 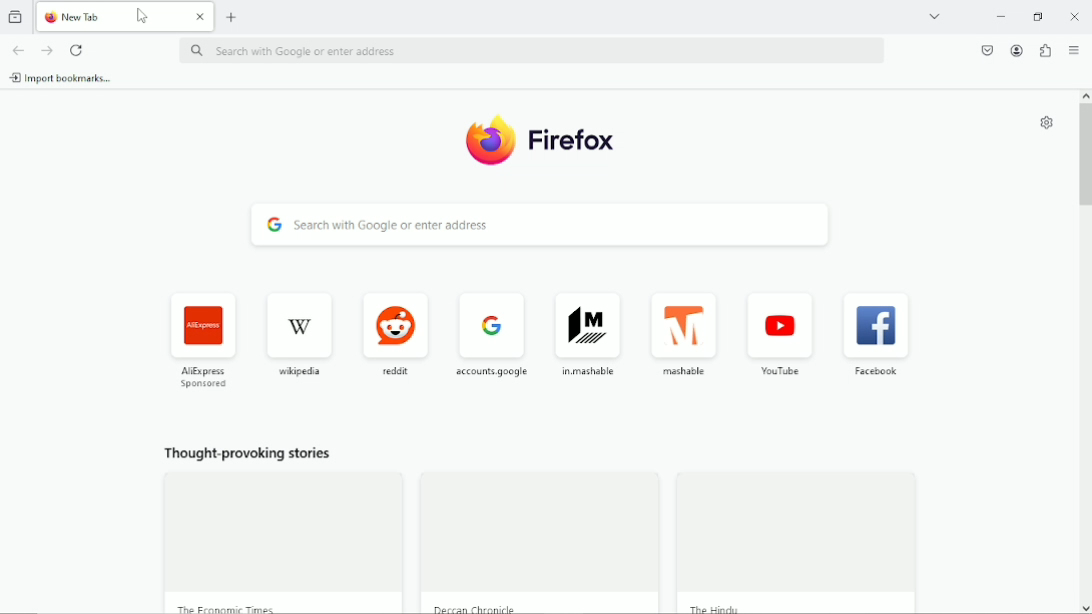 I want to click on Current tab, so click(x=127, y=16).